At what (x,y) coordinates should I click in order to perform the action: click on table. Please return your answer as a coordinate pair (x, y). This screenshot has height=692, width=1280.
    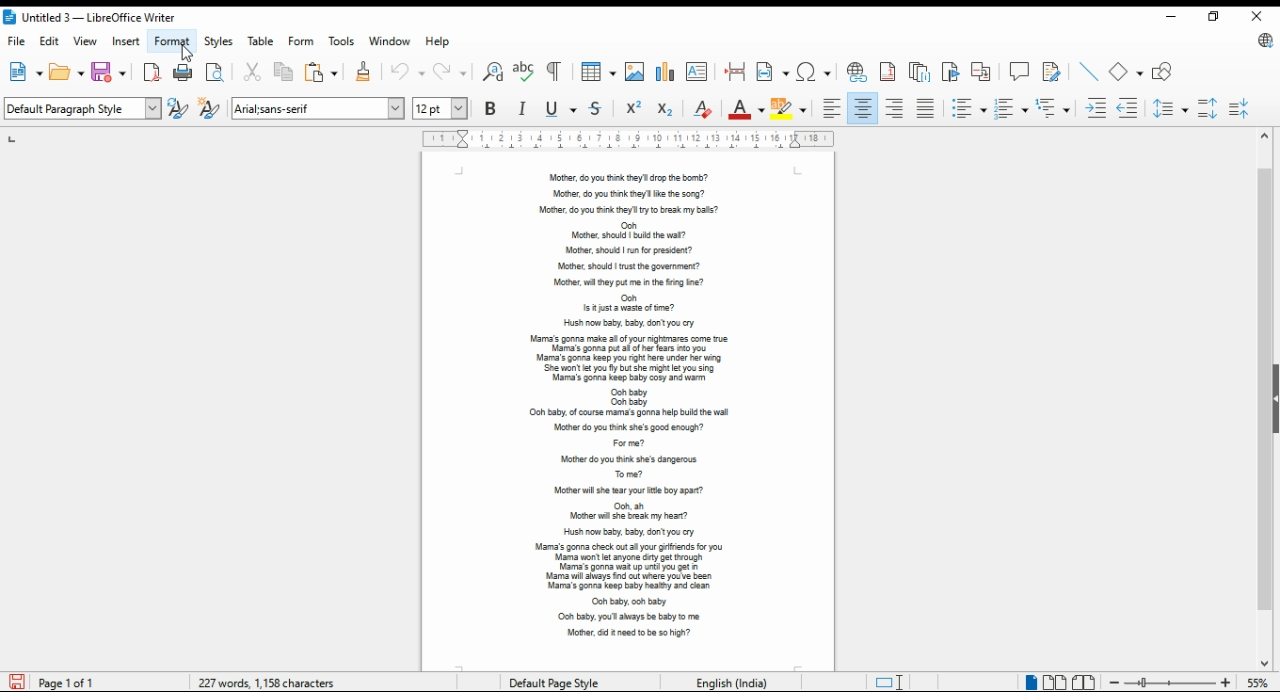
    Looking at the image, I should click on (263, 41).